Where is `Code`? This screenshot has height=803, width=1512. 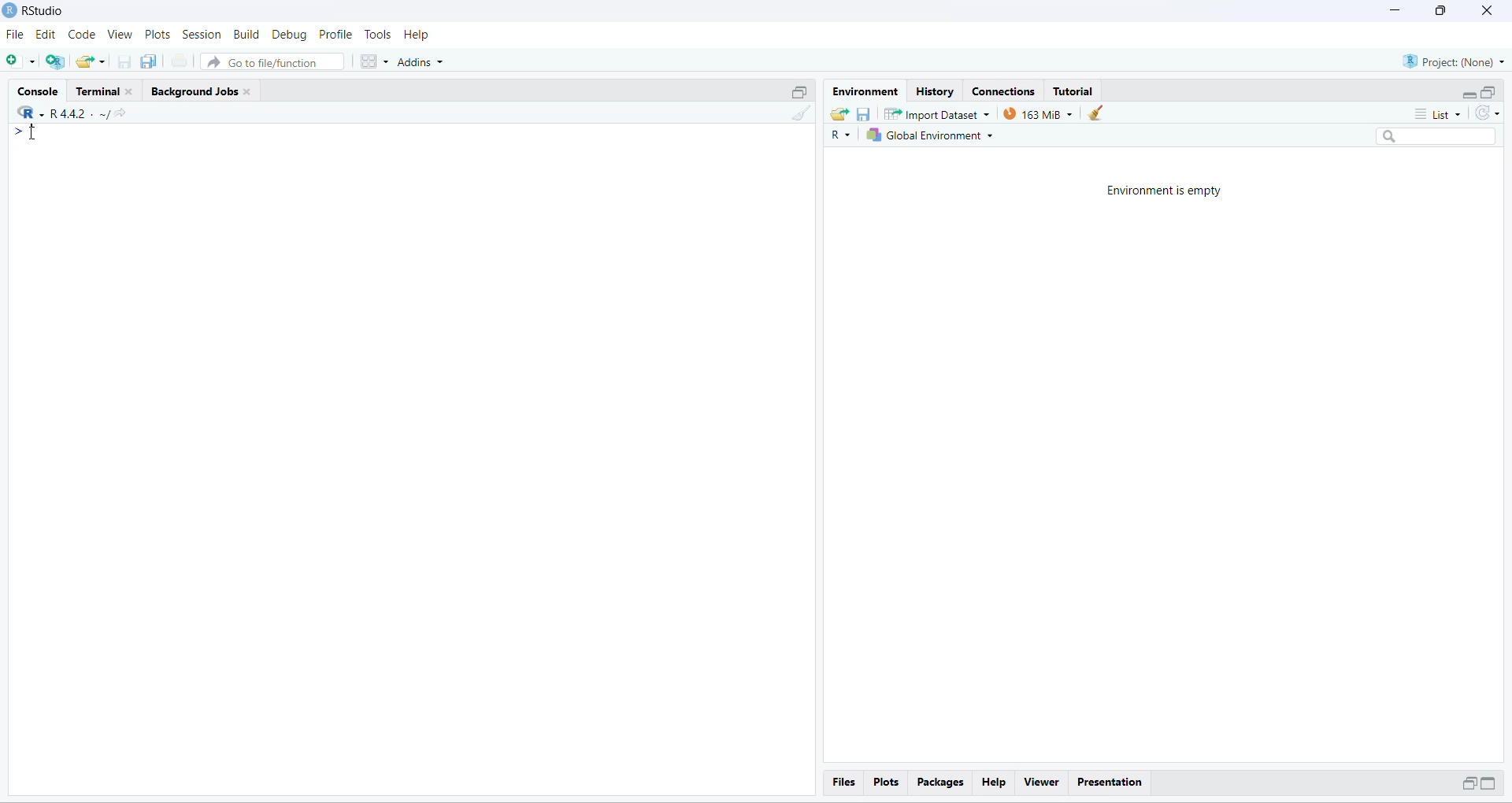
Code is located at coordinates (80, 35).